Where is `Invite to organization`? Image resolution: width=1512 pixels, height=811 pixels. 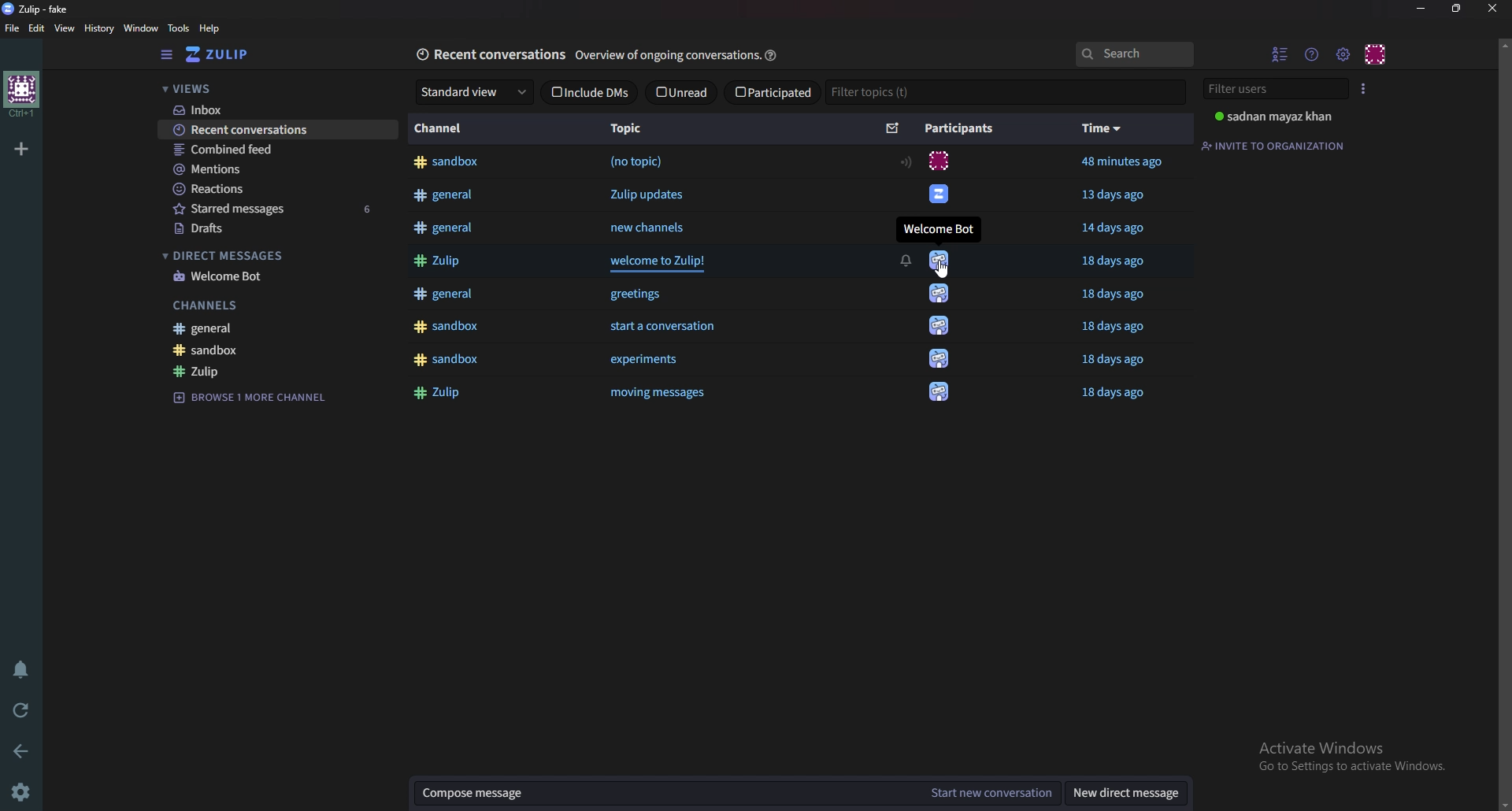
Invite to organization is located at coordinates (1275, 145).